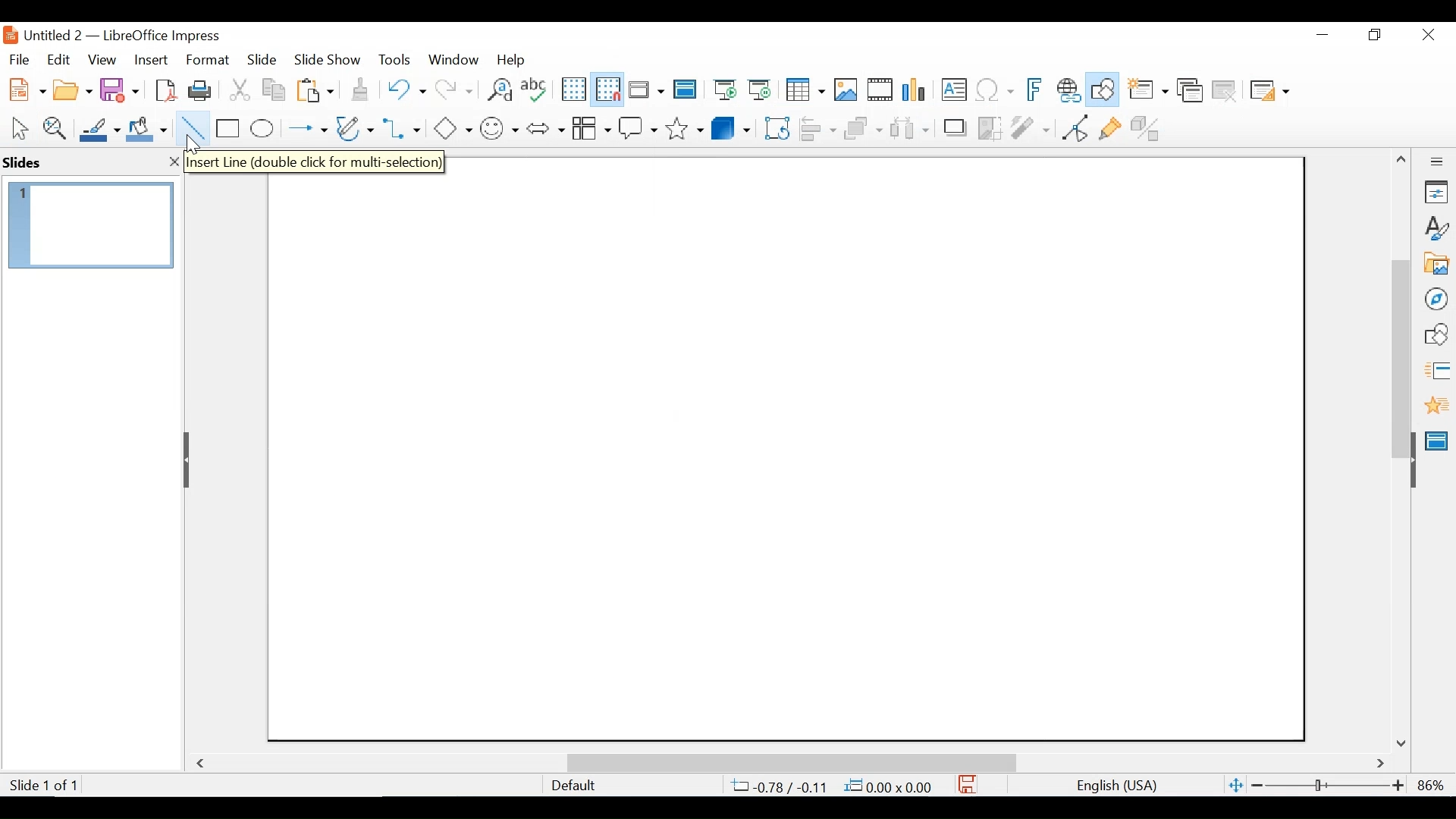  Describe the element at coordinates (98, 129) in the screenshot. I see `Line Color` at that location.